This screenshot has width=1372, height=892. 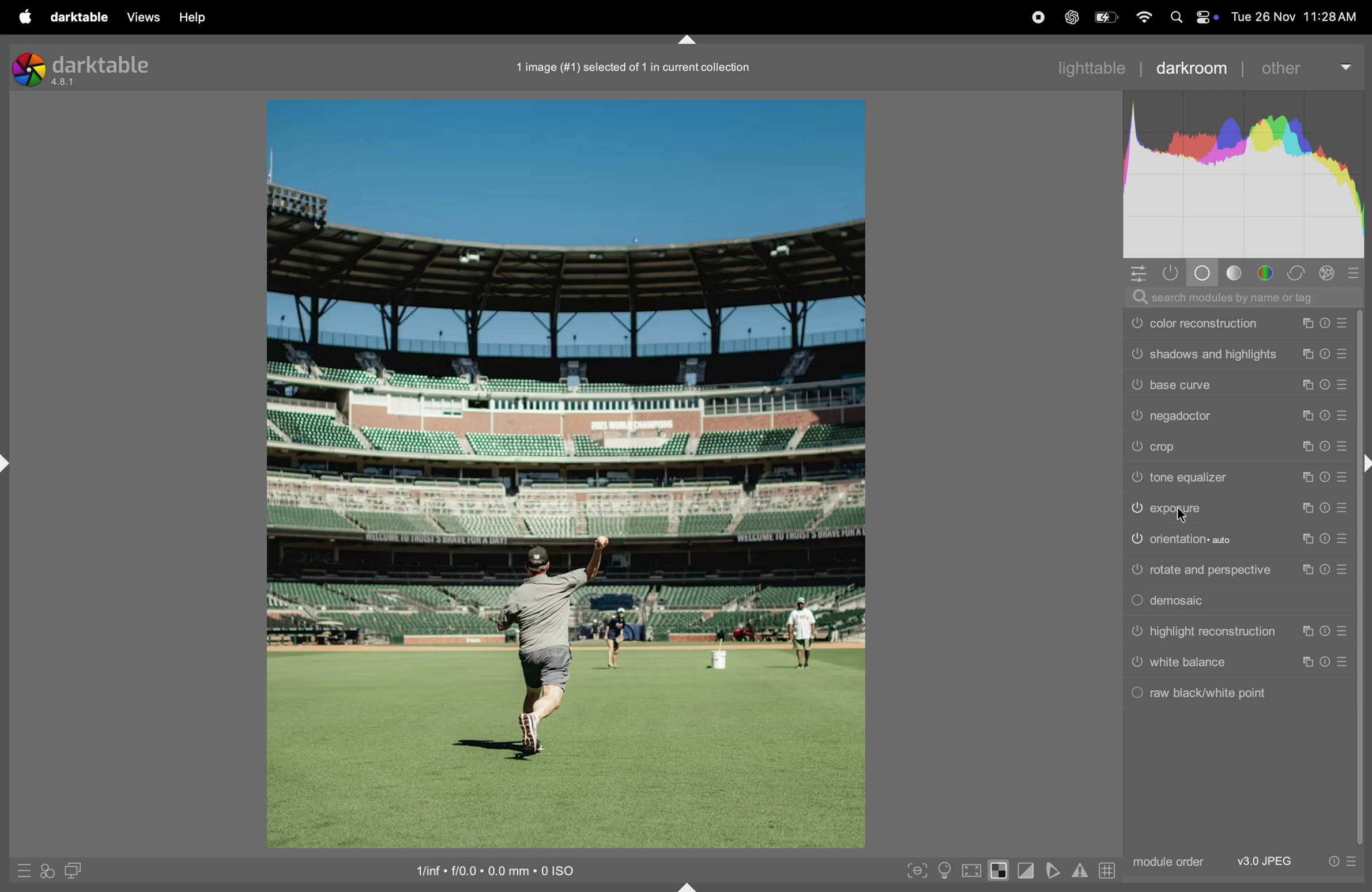 I want to click on base, so click(x=1204, y=273).